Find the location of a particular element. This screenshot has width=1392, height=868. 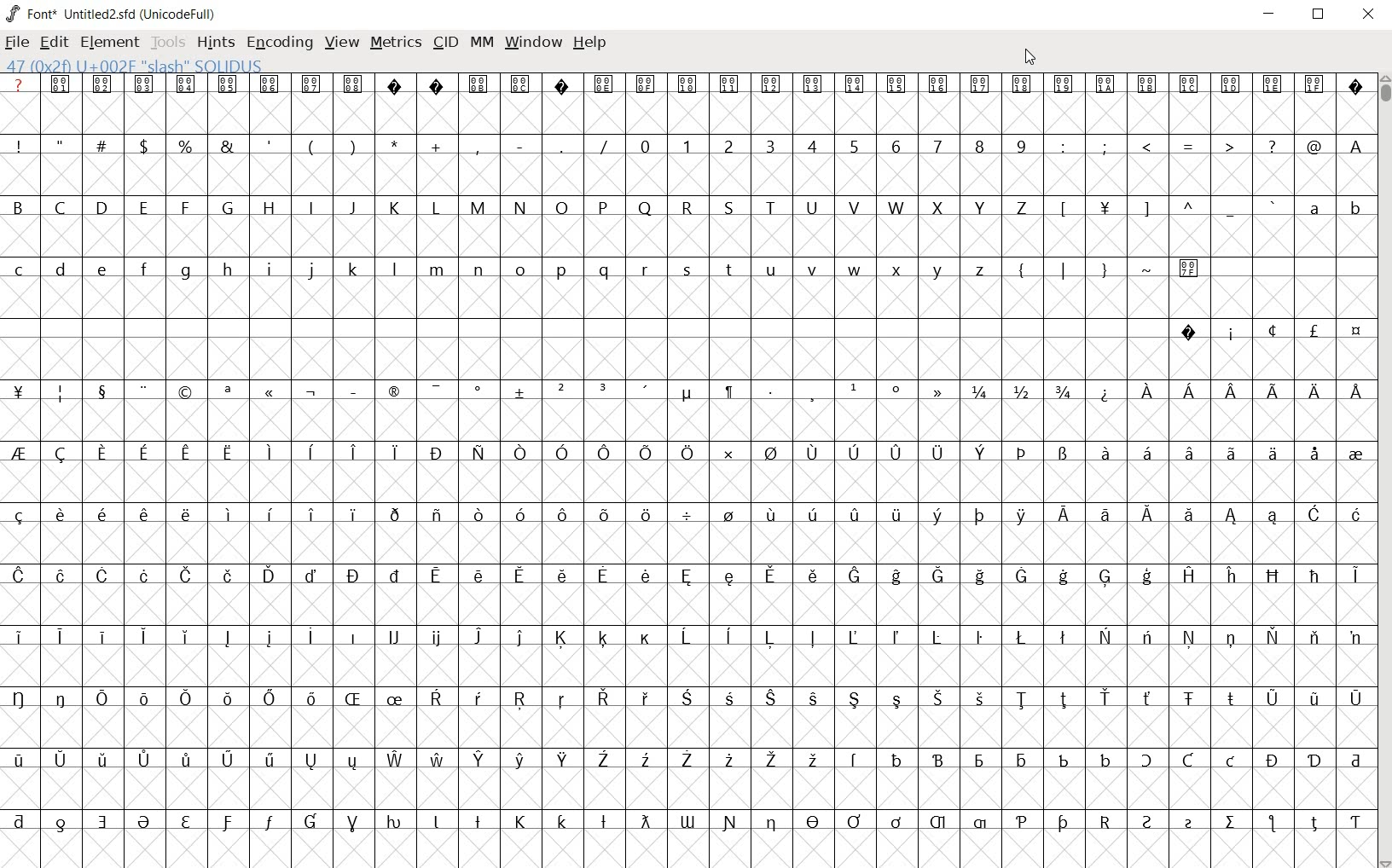

special letters is located at coordinates (684, 760).